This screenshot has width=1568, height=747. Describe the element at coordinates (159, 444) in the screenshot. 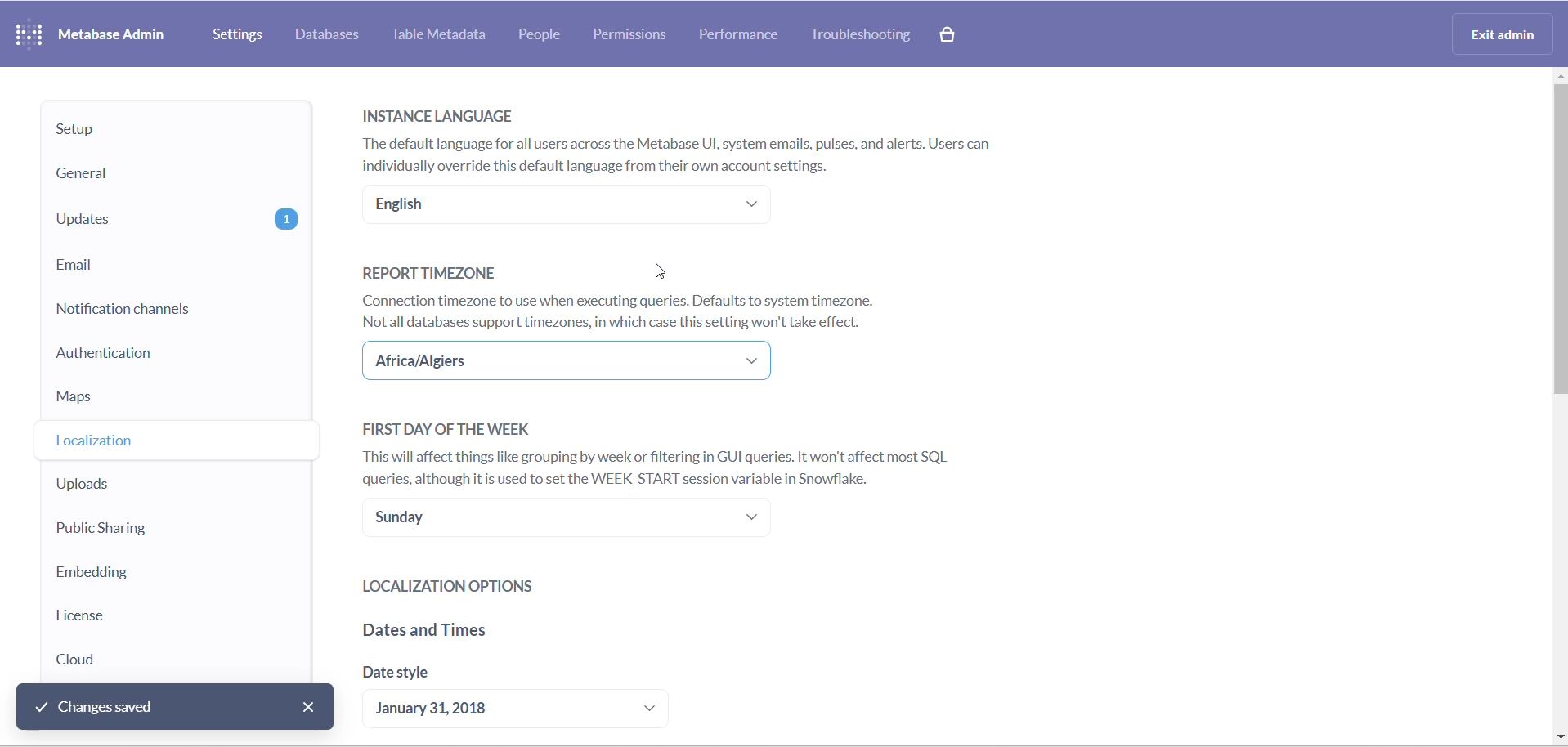

I see `localization` at that location.